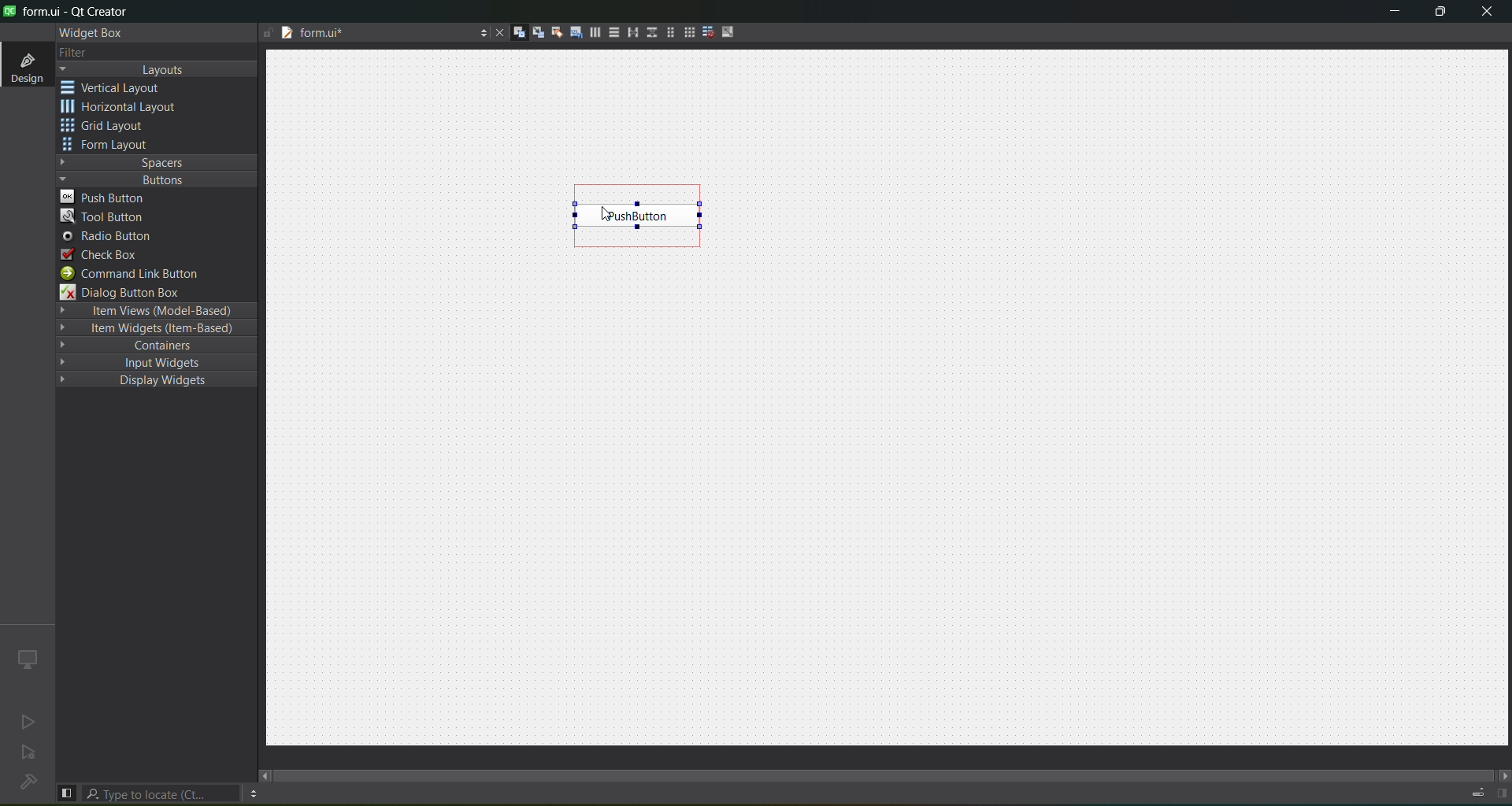  Describe the element at coordinates (495, 32) in the screenshot. I see `close tab` at that location.